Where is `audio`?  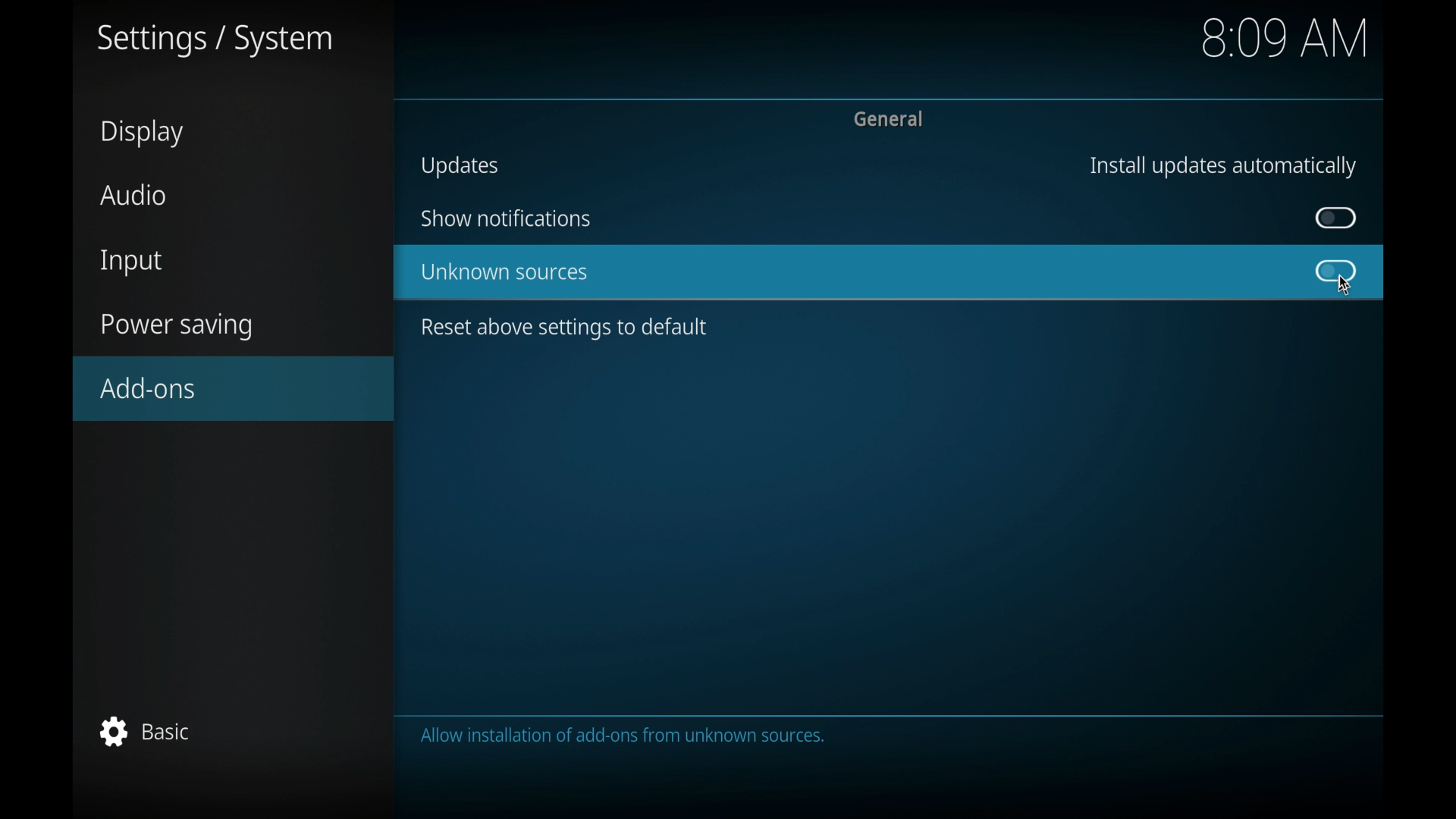
audio is located at coordinates (135, 194).